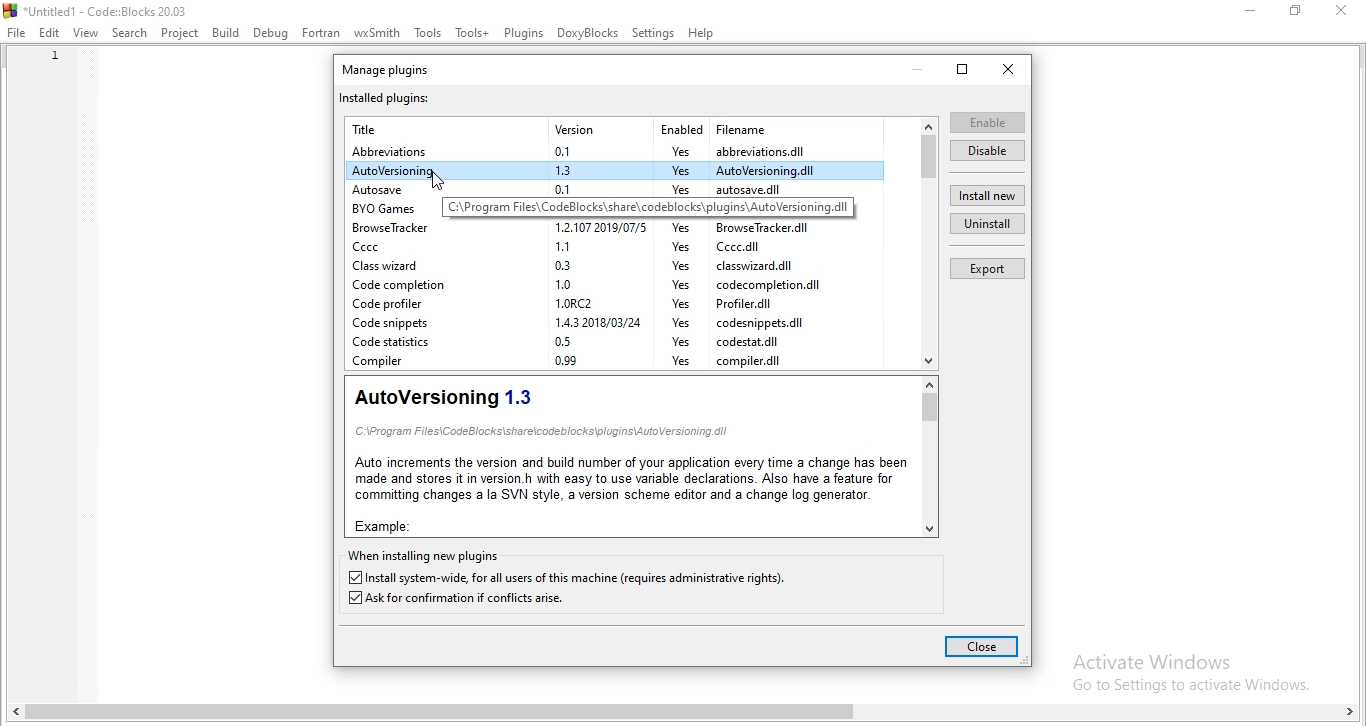 The width and height of the screenshot is (1366, 726). What do you see at coordinates (457, 600) in the screenshot?
I see `ask for confirmation if conflicts arise` at bounding box center [457, 600].